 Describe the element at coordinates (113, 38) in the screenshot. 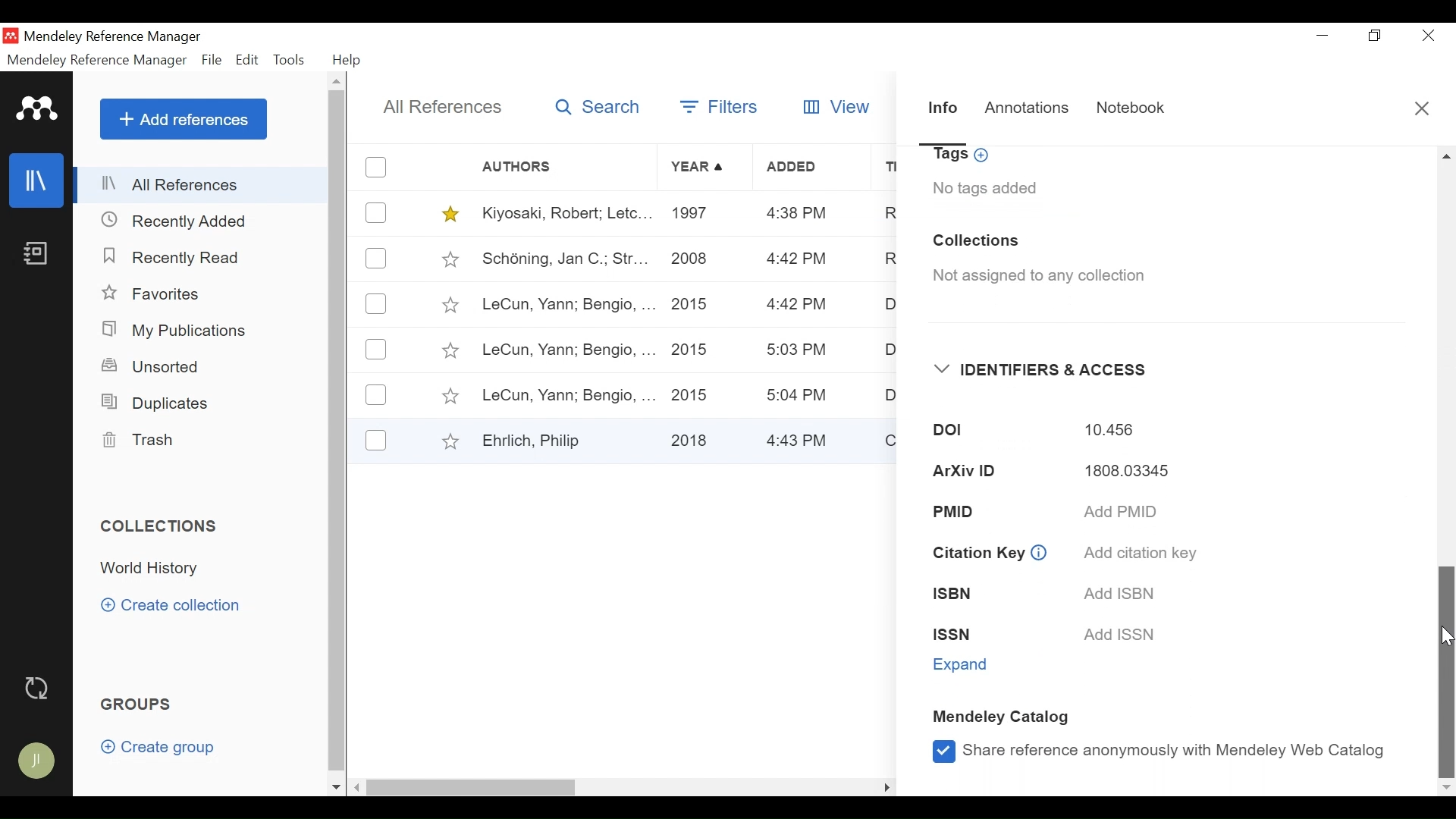

I see `Mendeley Reference Manager` at that location.